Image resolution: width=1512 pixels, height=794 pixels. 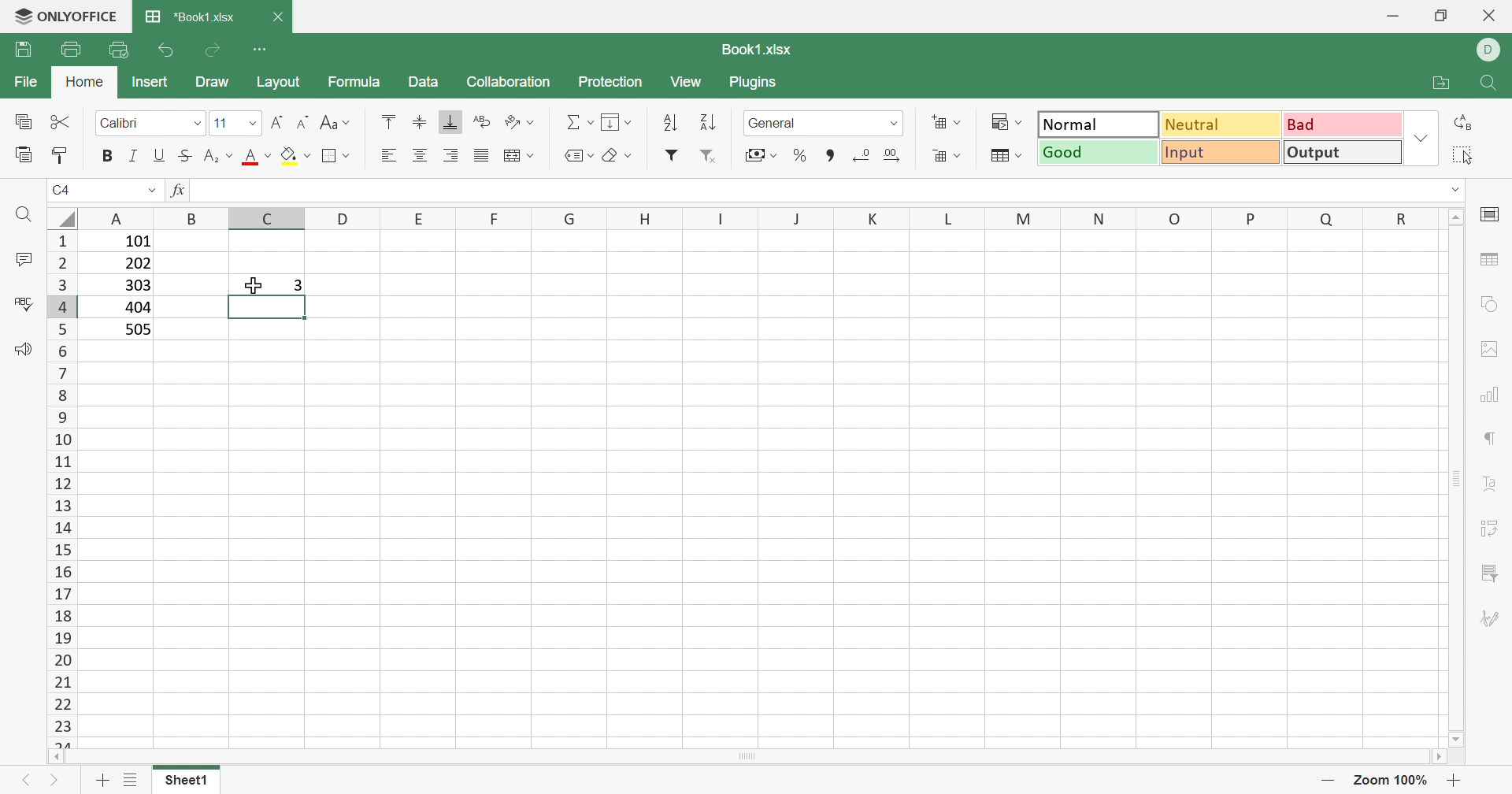 I want to click on 11, so click(x=220, y=123).